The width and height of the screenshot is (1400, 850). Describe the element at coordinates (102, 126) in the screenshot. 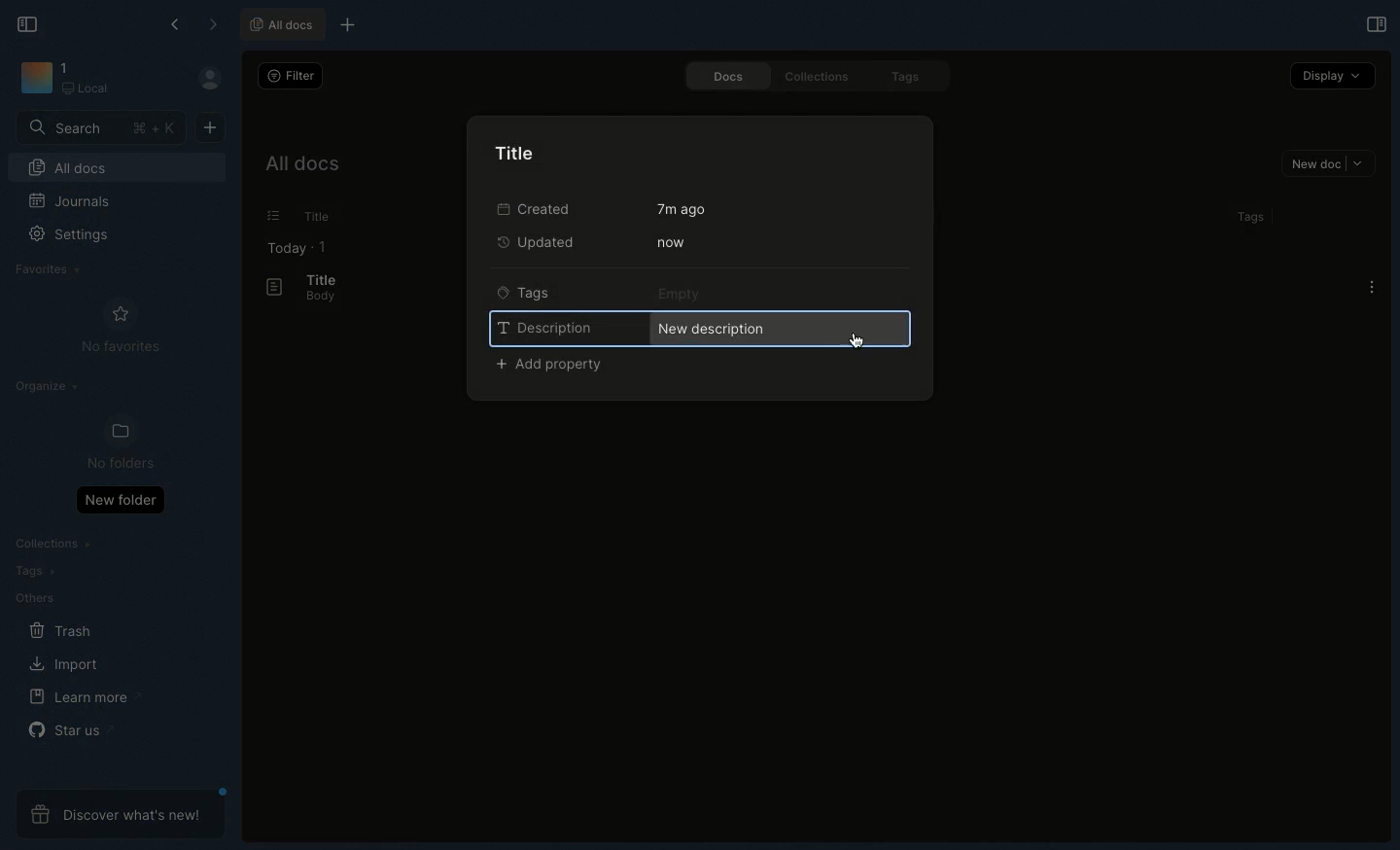

I see `Search` at that location.